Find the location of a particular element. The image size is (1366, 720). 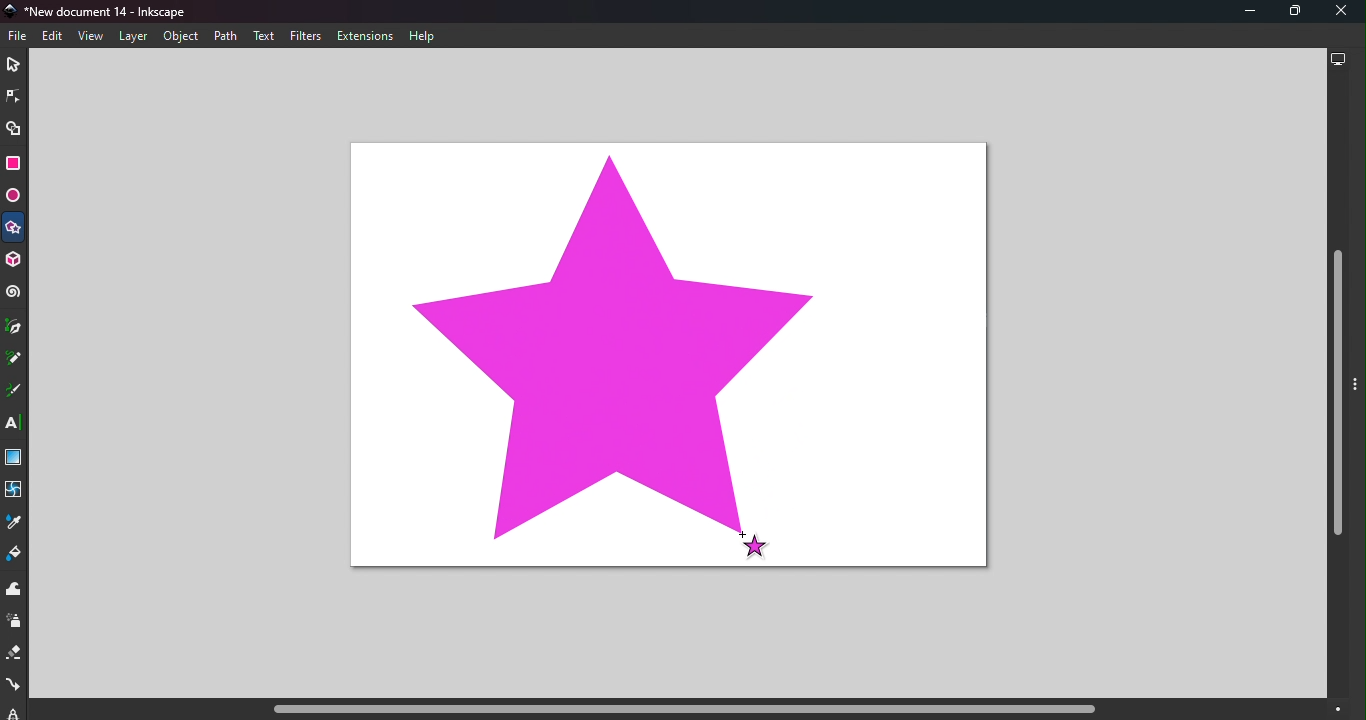

Node tool is located at coordinates (12, 96).